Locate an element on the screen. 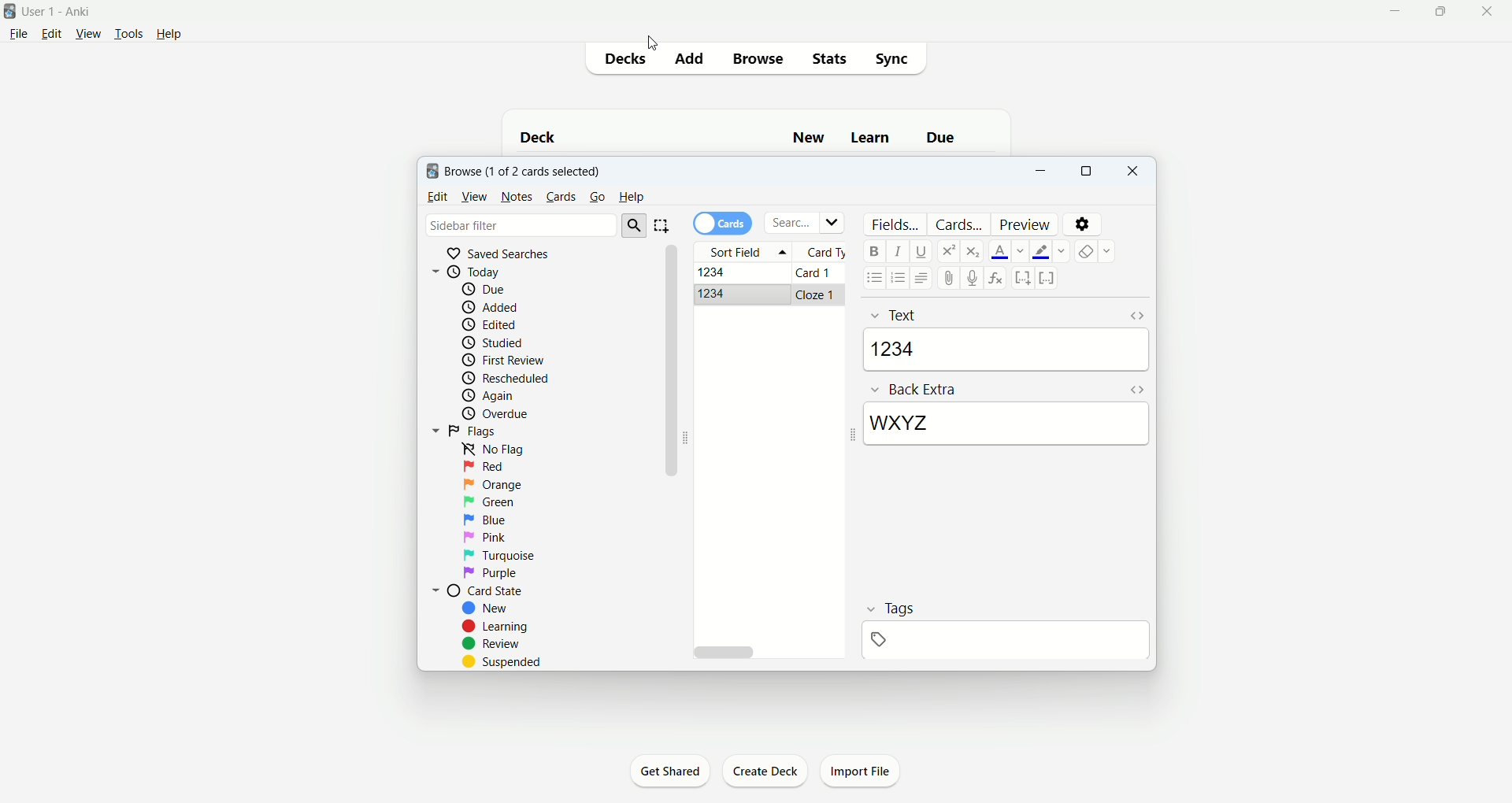 The width and height of the screenshot is (1512, 803). minimize is located at coordinates (1043, 175).